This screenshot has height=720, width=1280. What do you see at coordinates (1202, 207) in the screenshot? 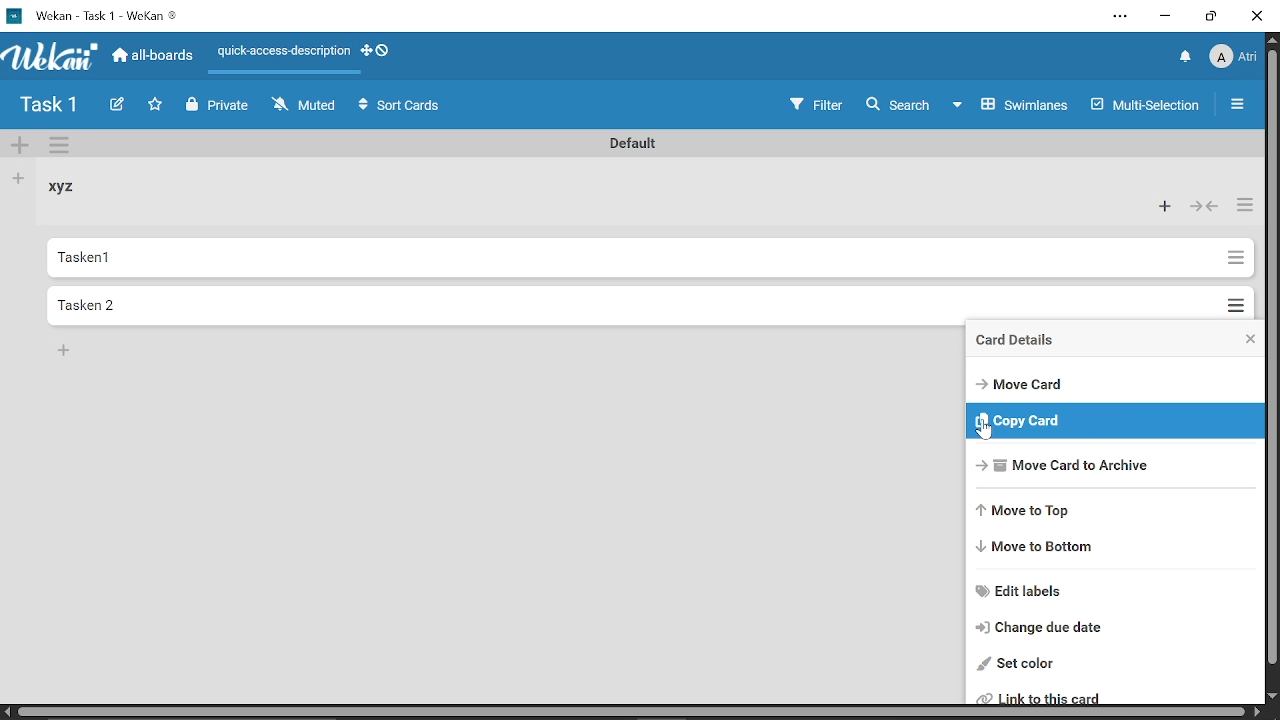
I see `Collapse` at bounding box center [1202, 207].